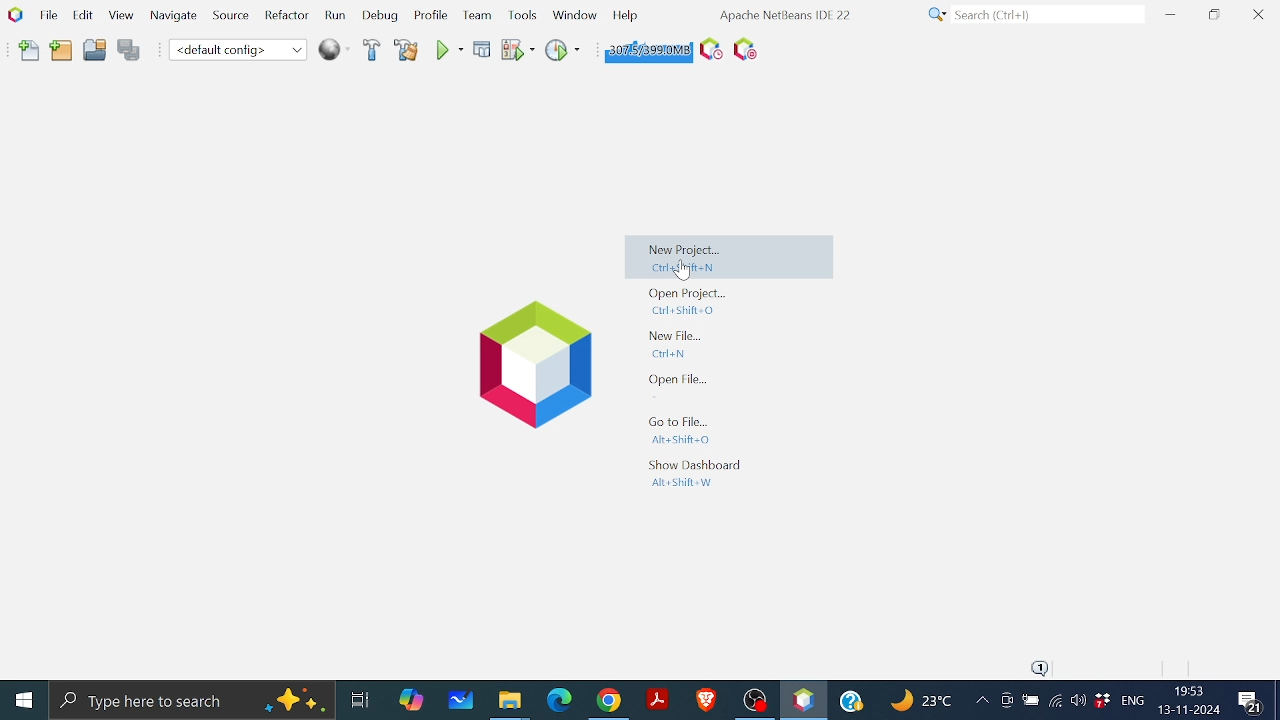  Describe the element at coordinates (561, 49) in the screenshot. I see `Profile project` at that location.